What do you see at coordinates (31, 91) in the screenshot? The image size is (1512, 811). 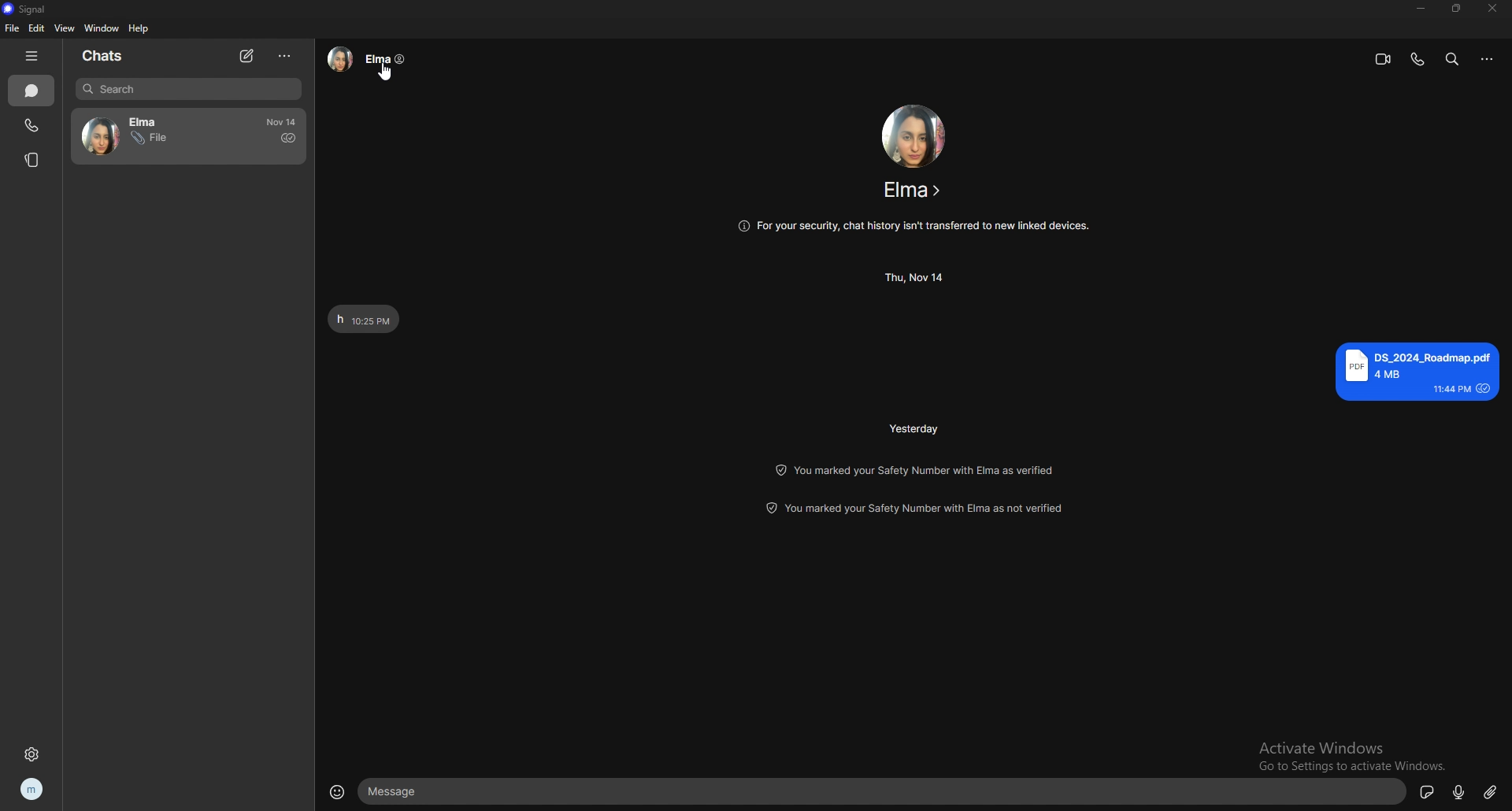 I see `chats` at bounding box center [31, 91].